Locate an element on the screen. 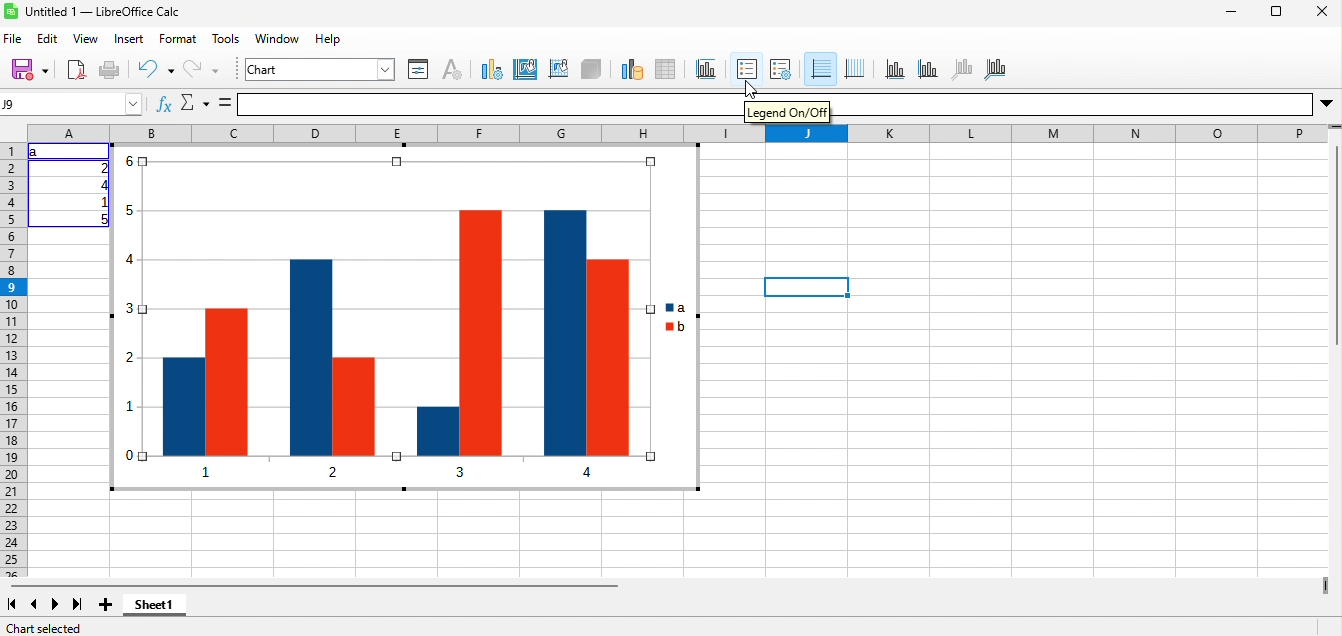 The image size is (1342, 636). Legend On/Off is located at coordinates (787, 112).